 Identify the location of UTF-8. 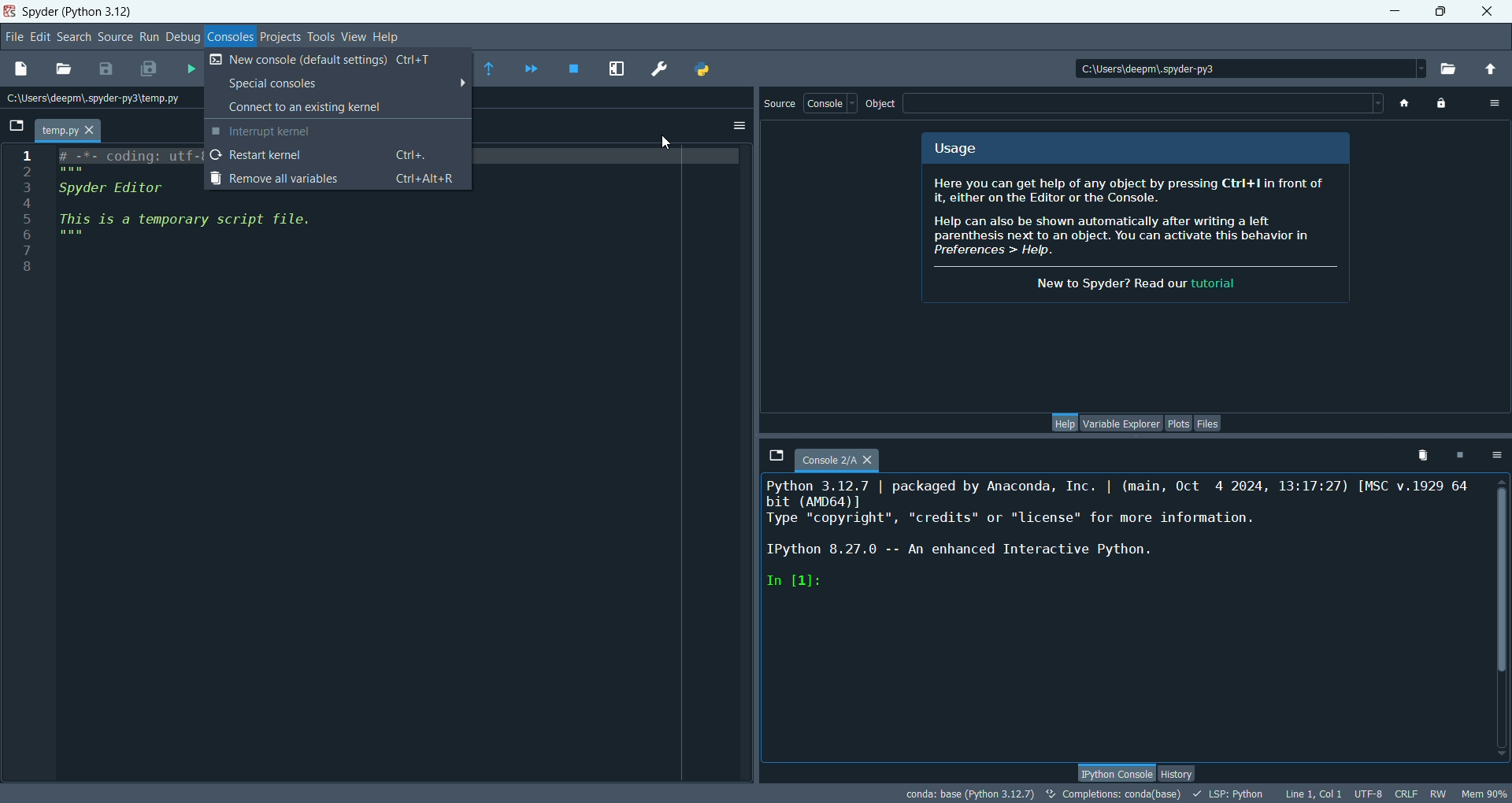
(1369, 794).